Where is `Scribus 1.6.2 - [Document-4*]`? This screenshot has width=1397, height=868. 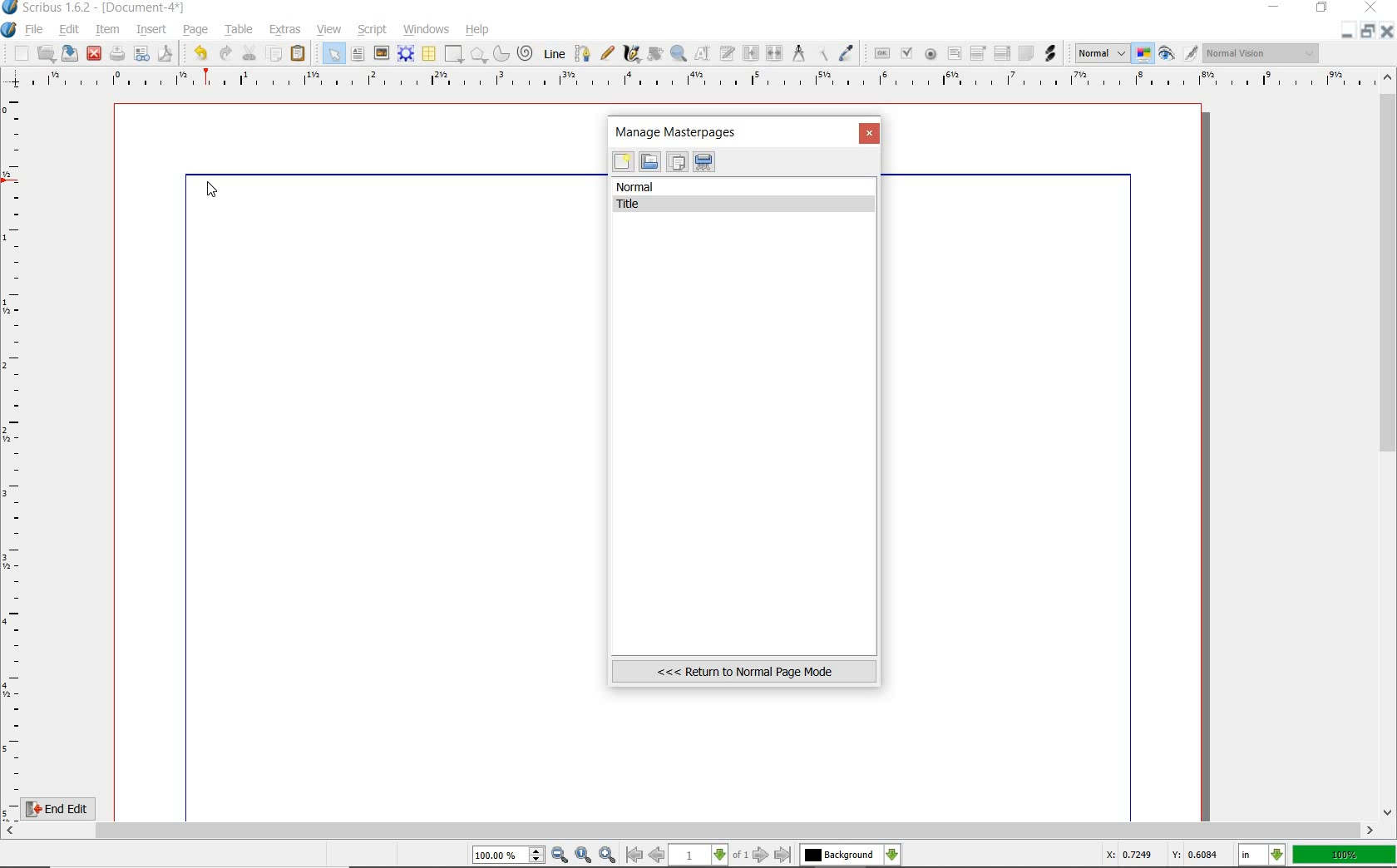 Scribus 1.6.2 - [Document-4*] is located at coordinates (95, 8).